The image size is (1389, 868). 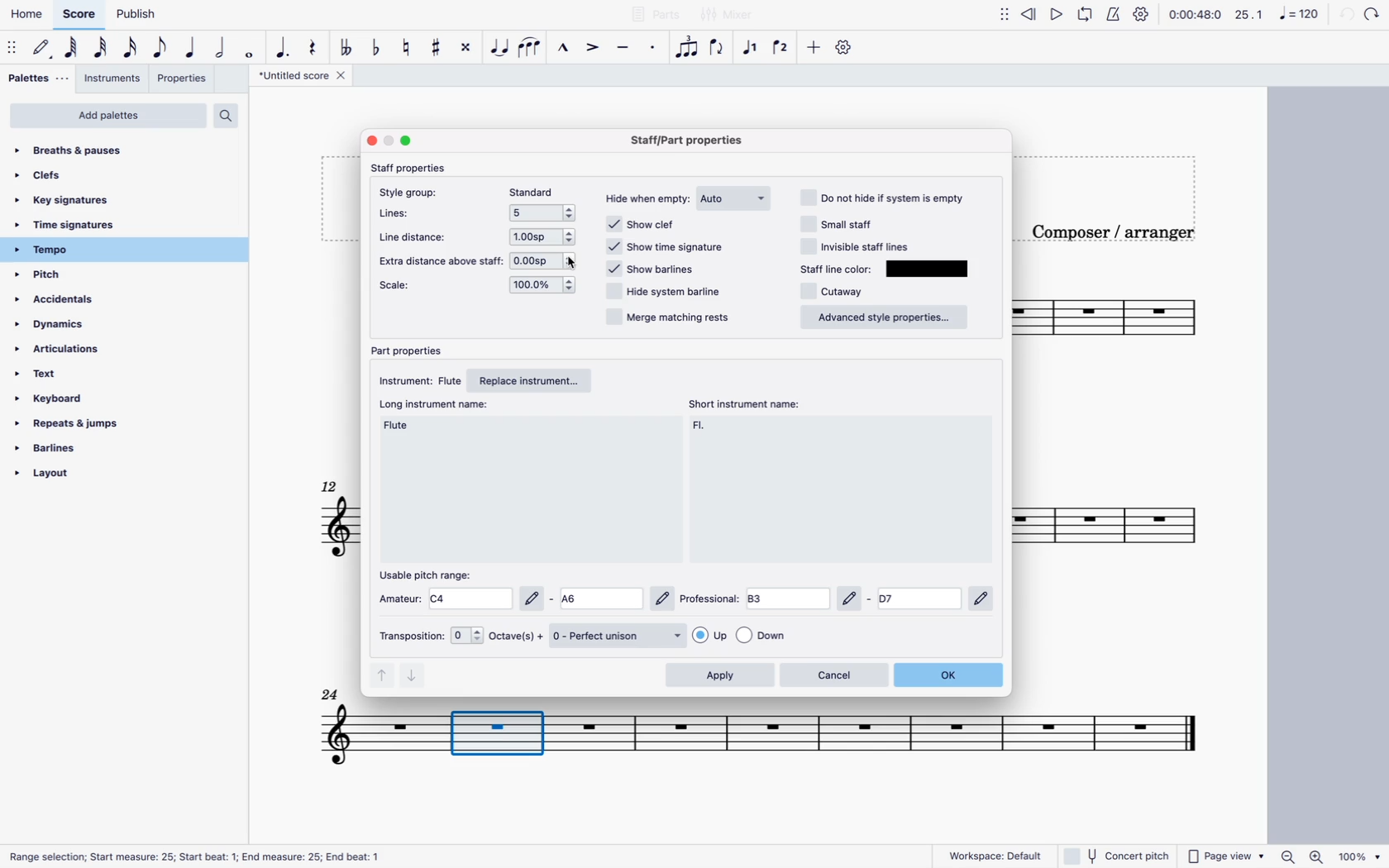 I want to click on score, so click(x=1104, y=528).